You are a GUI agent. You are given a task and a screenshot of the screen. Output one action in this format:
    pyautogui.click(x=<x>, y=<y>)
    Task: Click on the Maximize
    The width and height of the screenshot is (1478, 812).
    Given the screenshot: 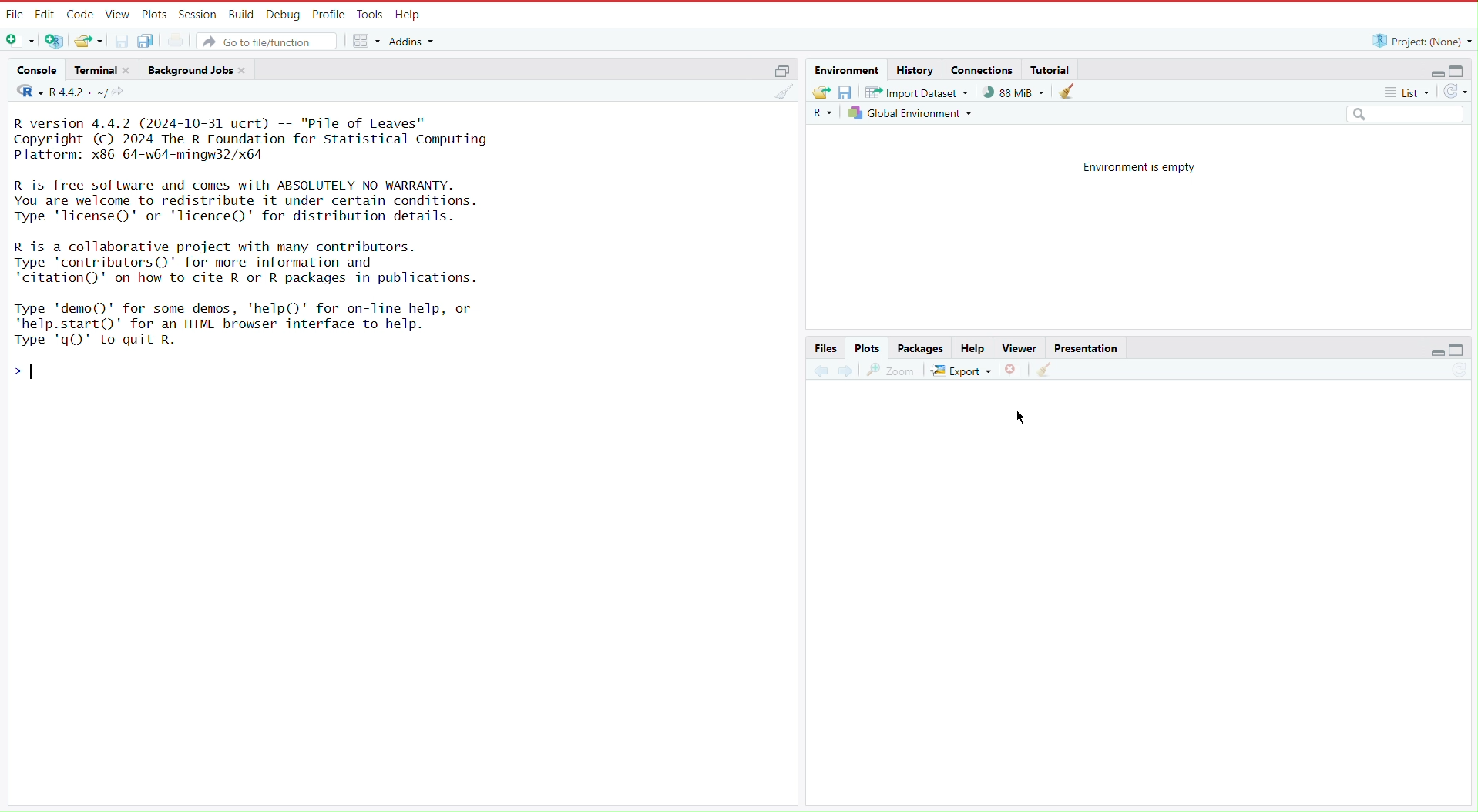 What is the action you would take?
    pyautogui.click(x=1459, y=351)
    